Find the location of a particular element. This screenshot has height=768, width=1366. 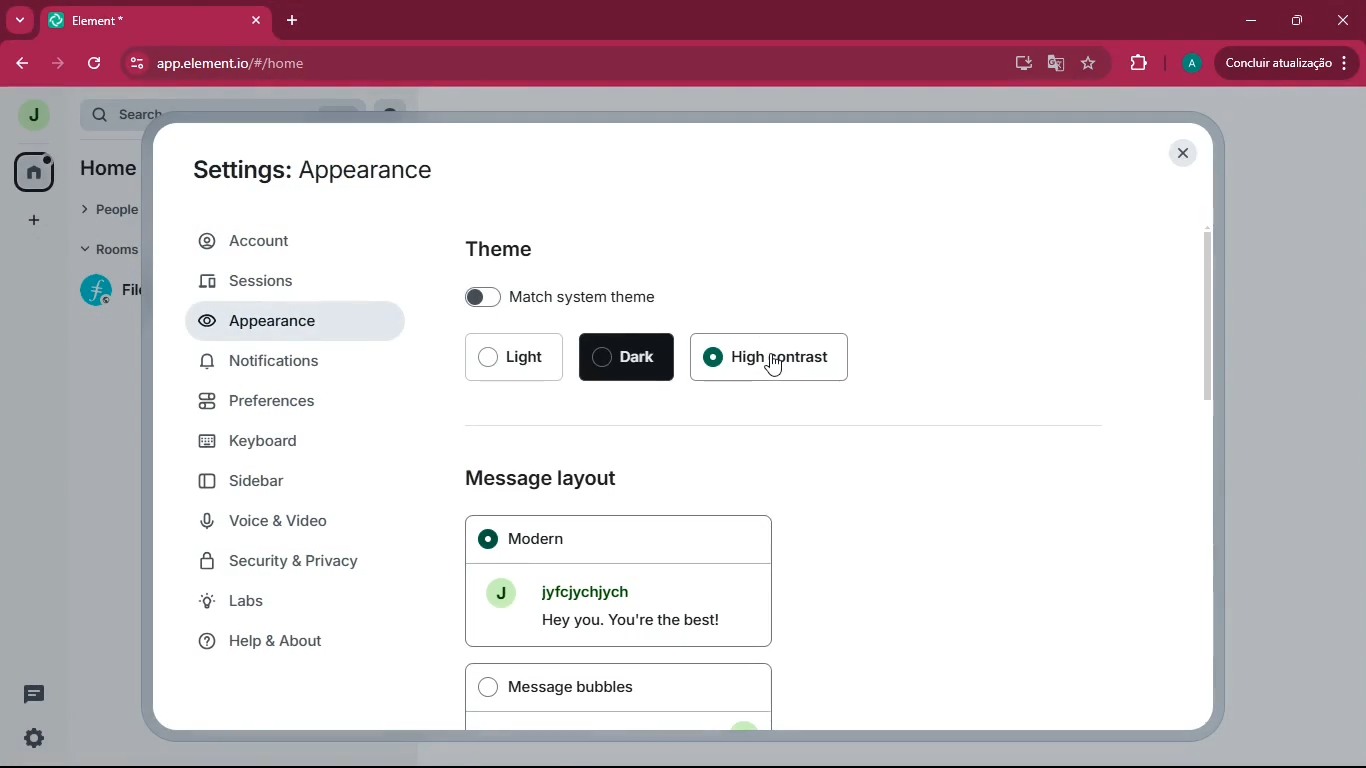

update is located at coordinates (1285, 62).